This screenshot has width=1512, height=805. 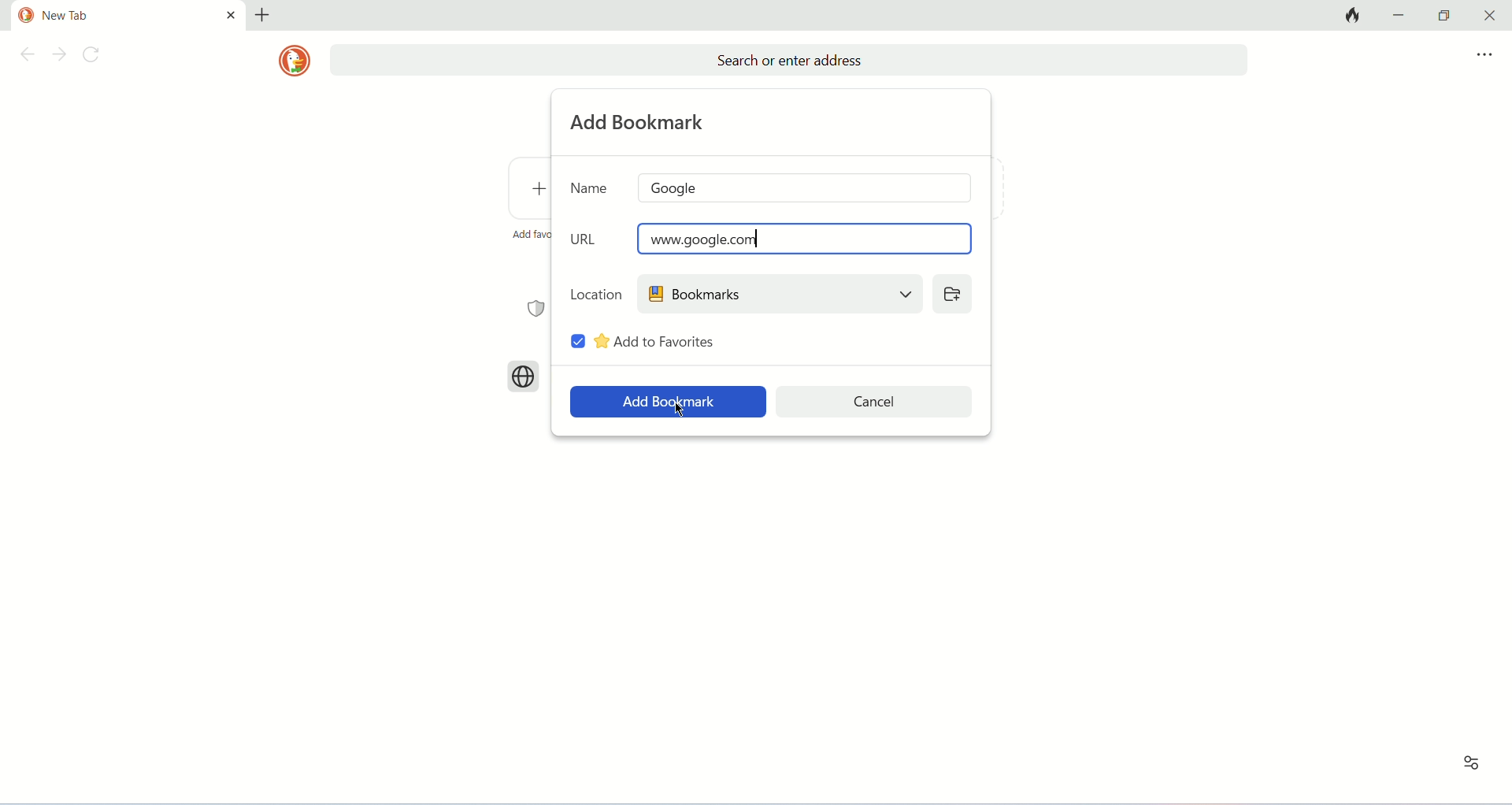 What do you see at coordinates (1351, 15) in the screenshot?
I see `close tab and clear data` at bounding box center [1351, 15].